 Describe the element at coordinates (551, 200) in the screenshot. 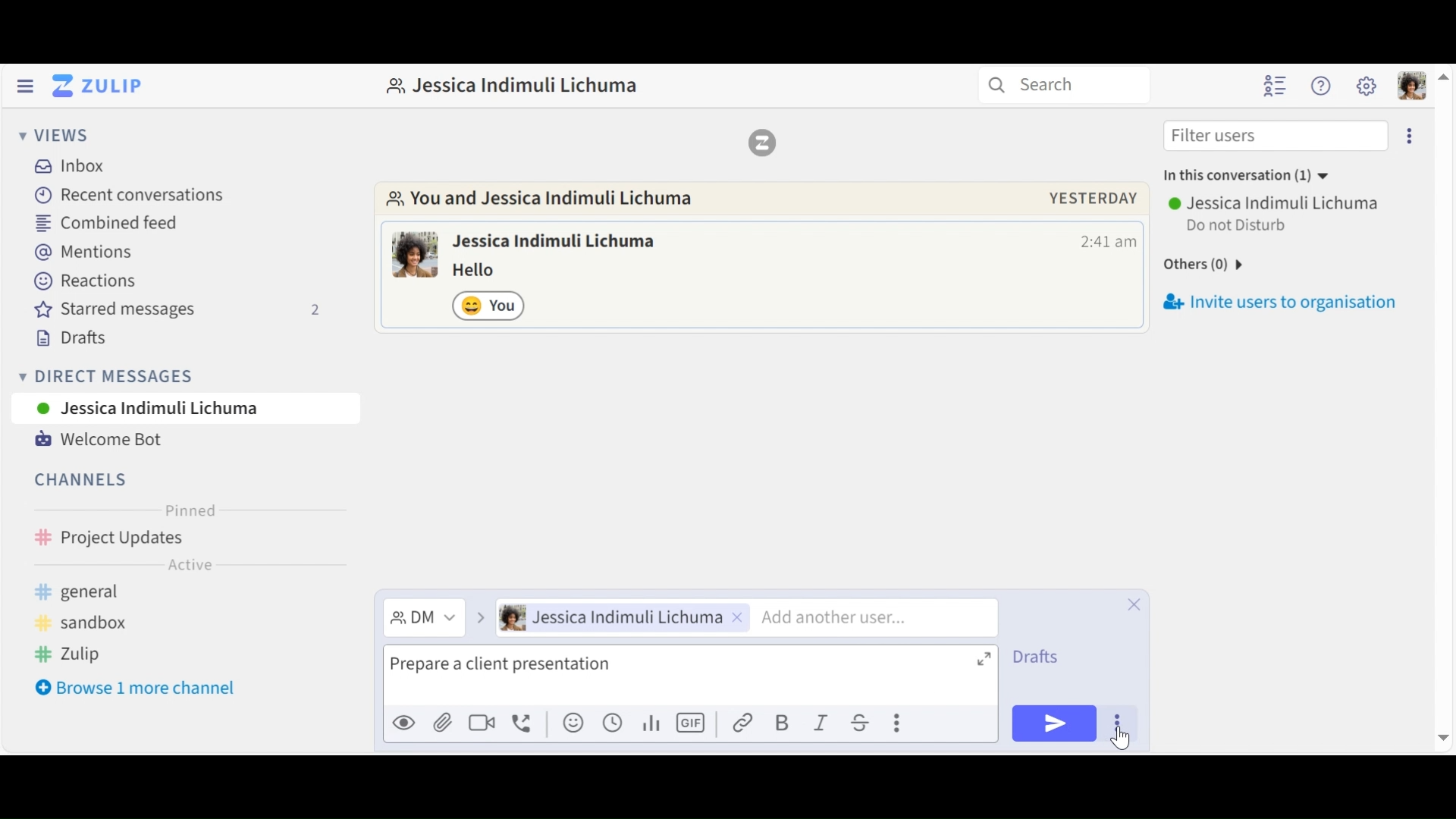

I see `Go to direct message with user` at that location.